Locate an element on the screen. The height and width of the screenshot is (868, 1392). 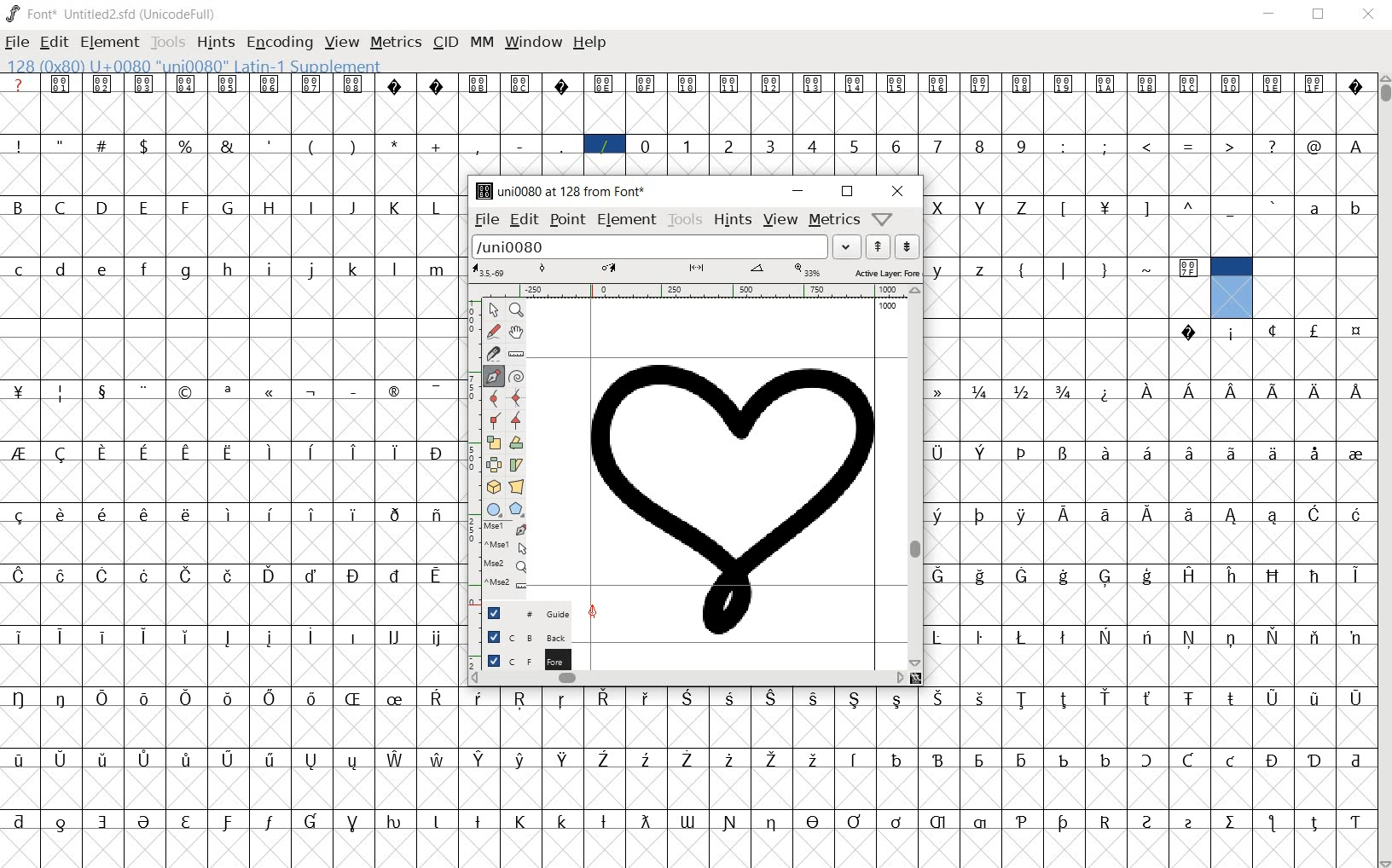
glyph is located at coordinates (19, 391).